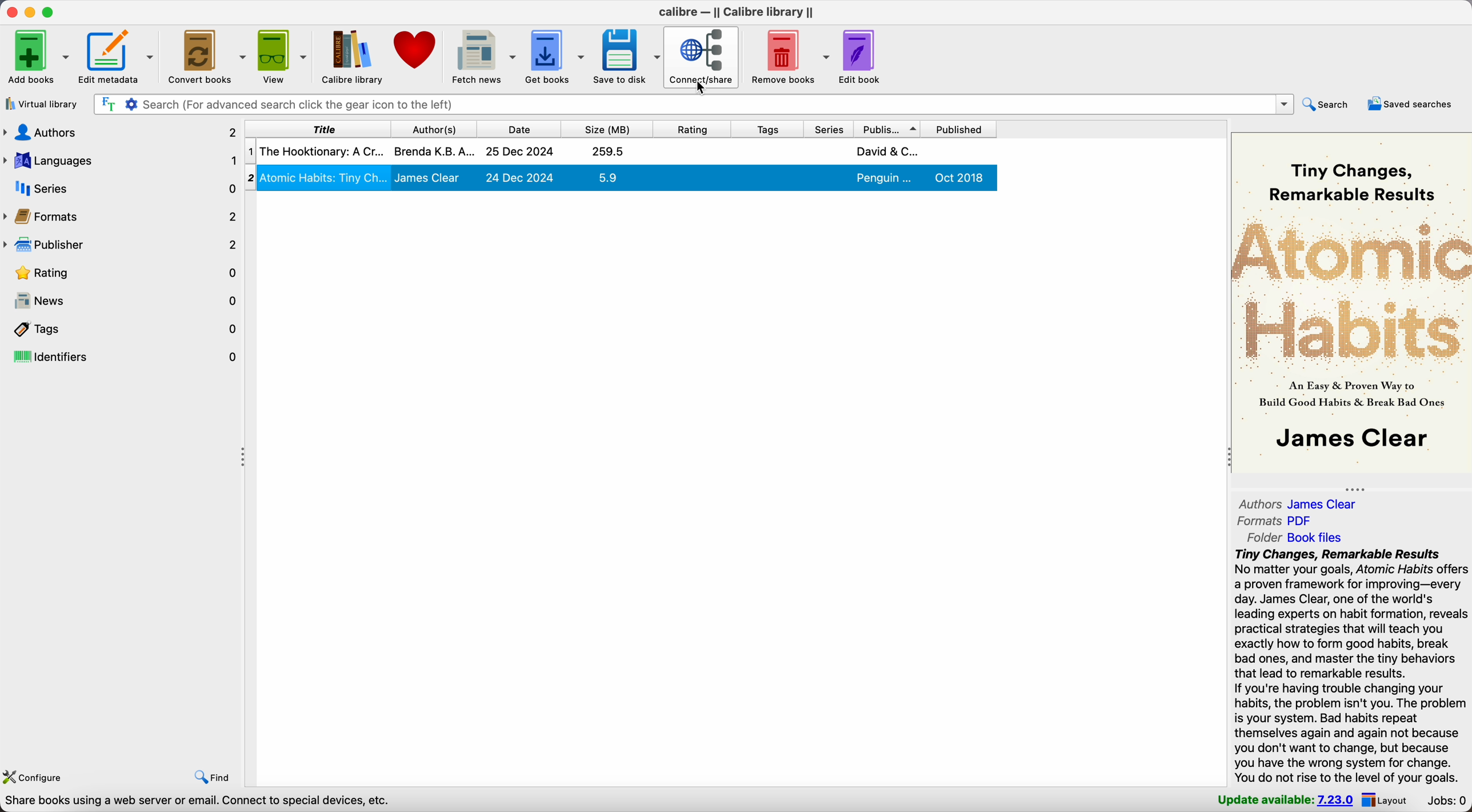 Image resolution: width=1472 pixels, height=812 pixels. What do you see at coordinates (30, 11) in the screenshot?
I see `minimize` at bounding box center [30, 11].